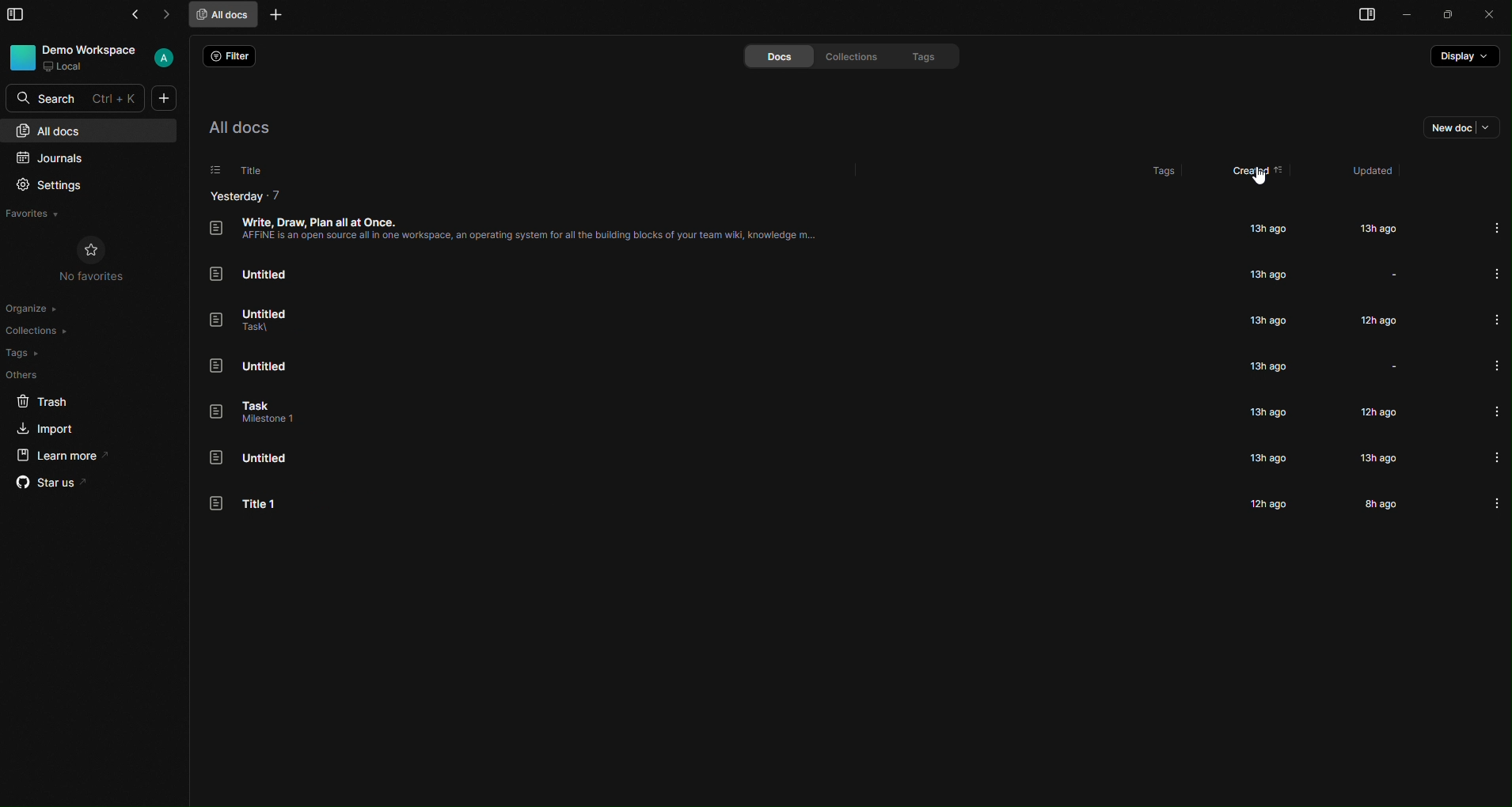  What do you see at coordinates (1266, 412) in the screenshot?
I see `13h ago` at bounding box center [1266, 412].